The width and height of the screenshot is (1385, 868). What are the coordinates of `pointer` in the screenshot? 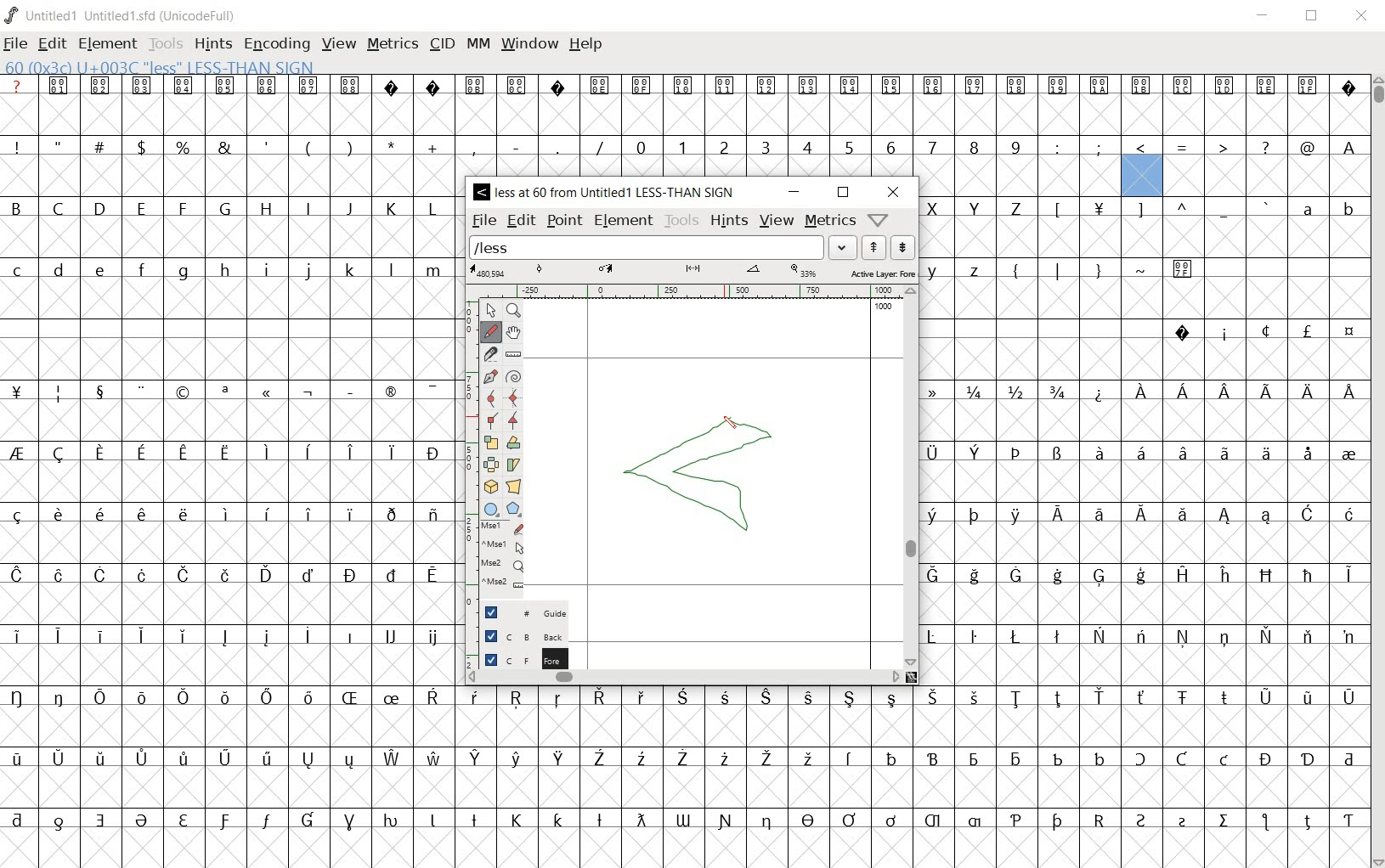 It's located at (490, 309).